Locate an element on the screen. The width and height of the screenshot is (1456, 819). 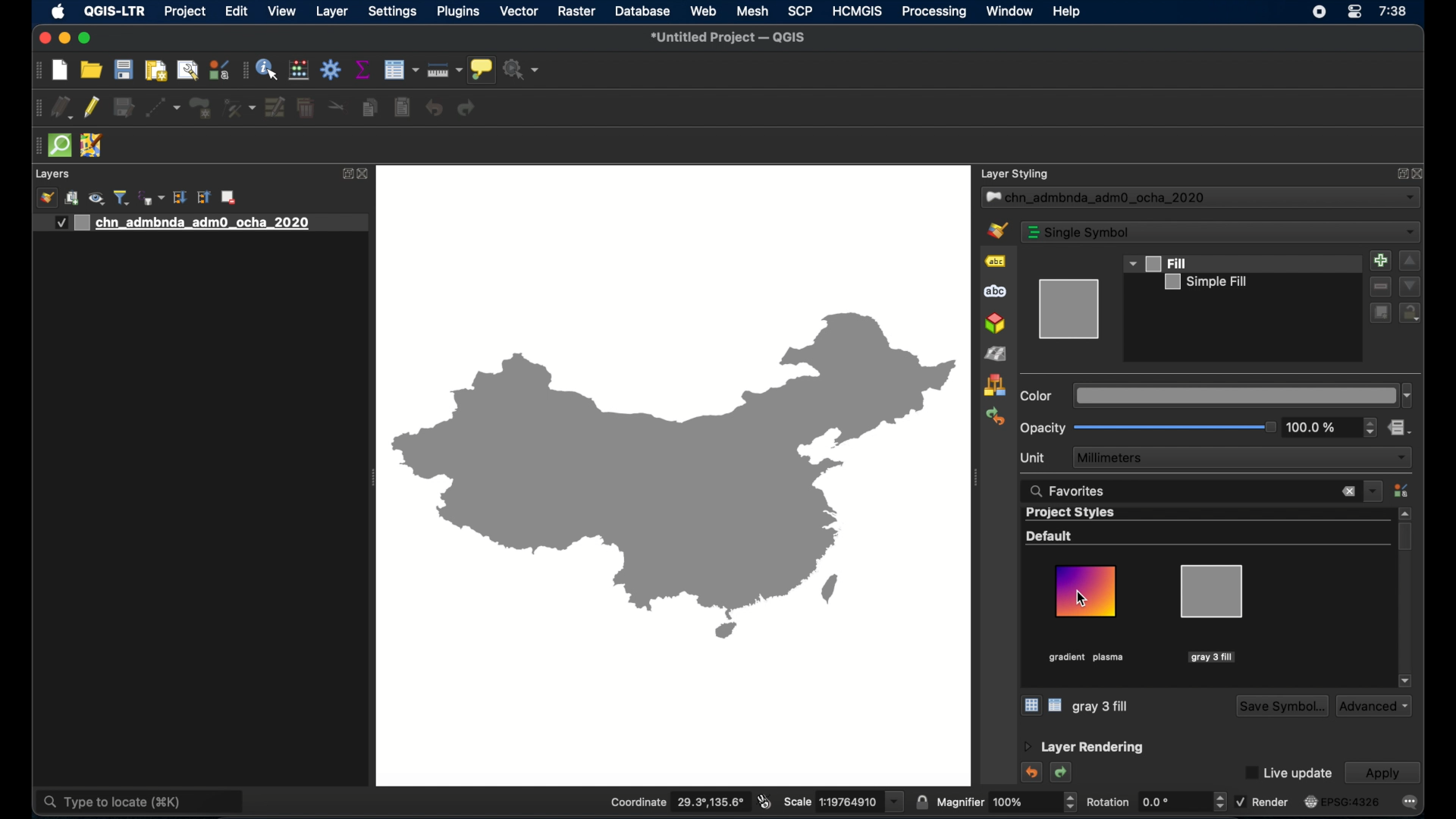
live update is located at coordinates (1288, 773).